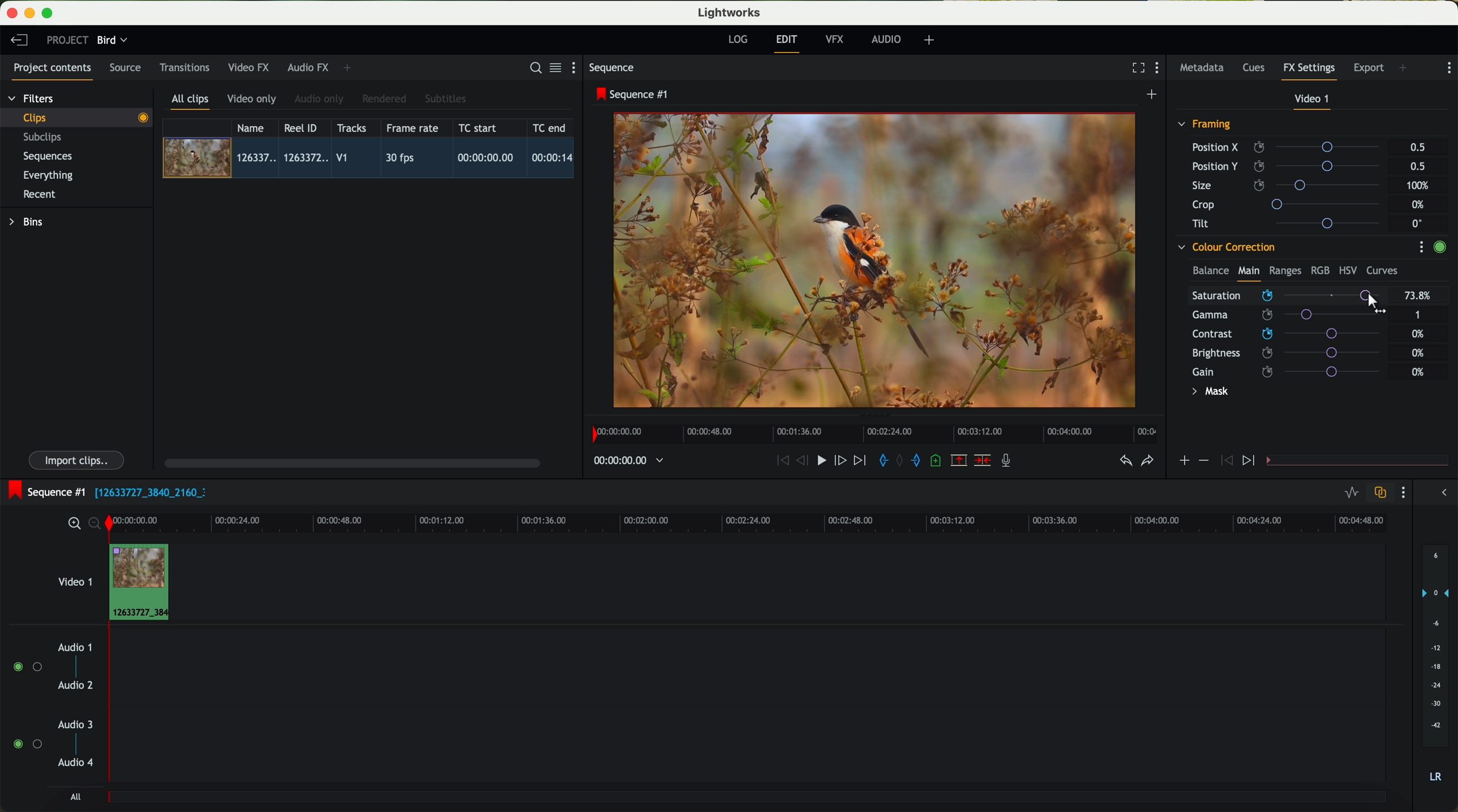 The image size is (1458, 812). What do you see at coordinates (623, 461) in the screenshot?
I see `timeline` at bounding box center [623, 461].